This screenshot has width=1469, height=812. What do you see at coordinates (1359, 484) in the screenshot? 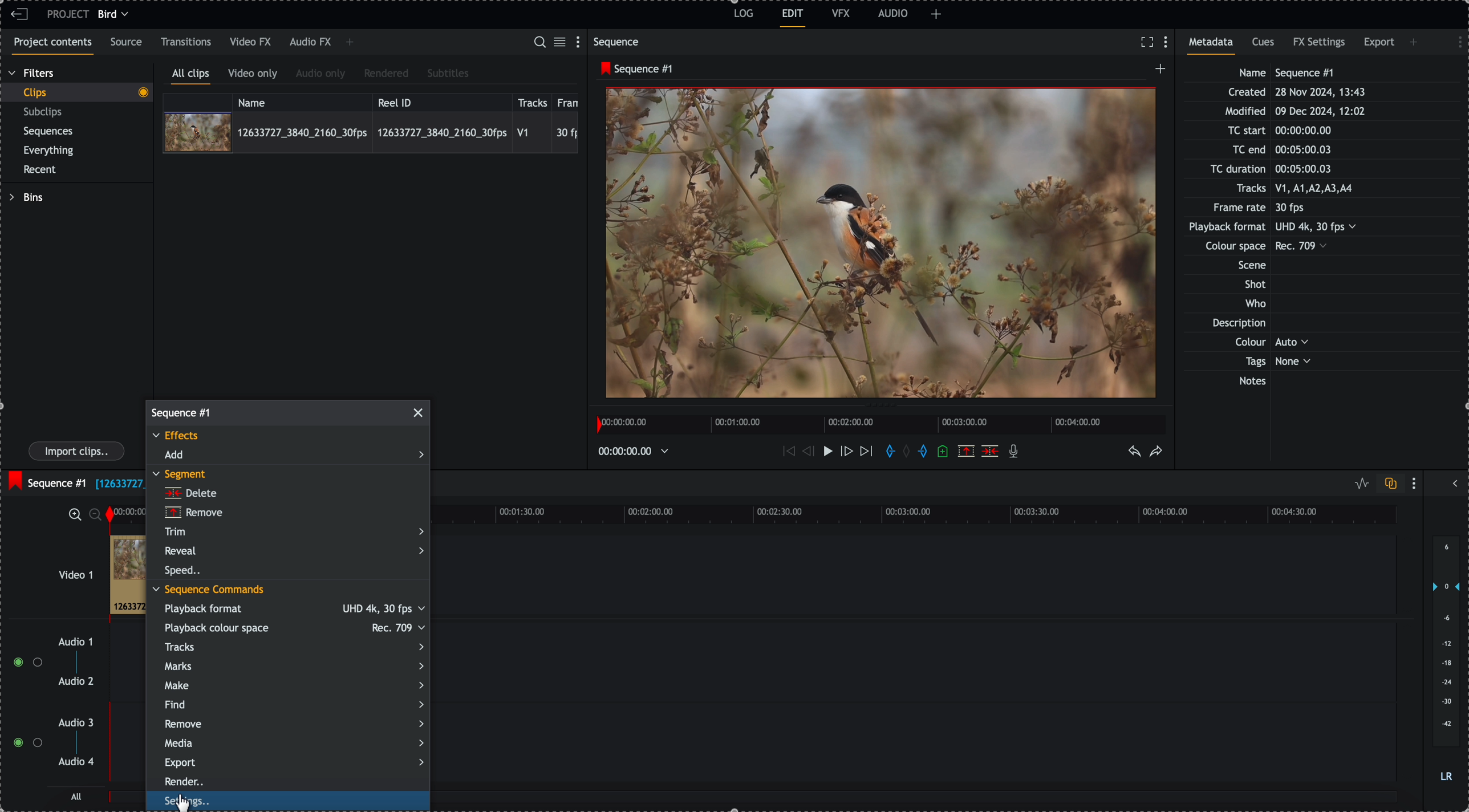
I see `toggle audio levels editing` at bounding box center [1359, 484].